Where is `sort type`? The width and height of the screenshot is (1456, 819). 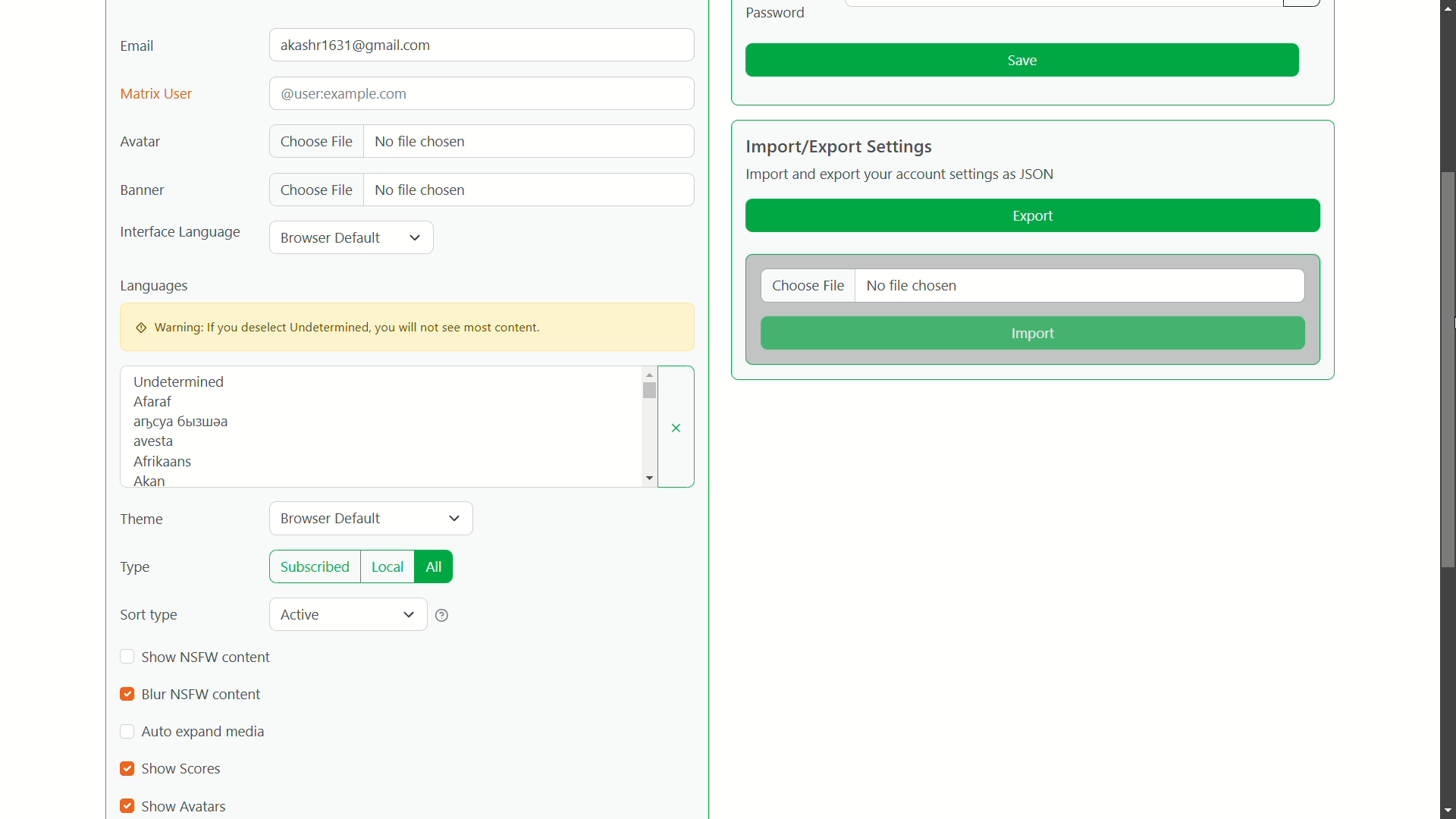 sort type is located at coordinates (149, 615).